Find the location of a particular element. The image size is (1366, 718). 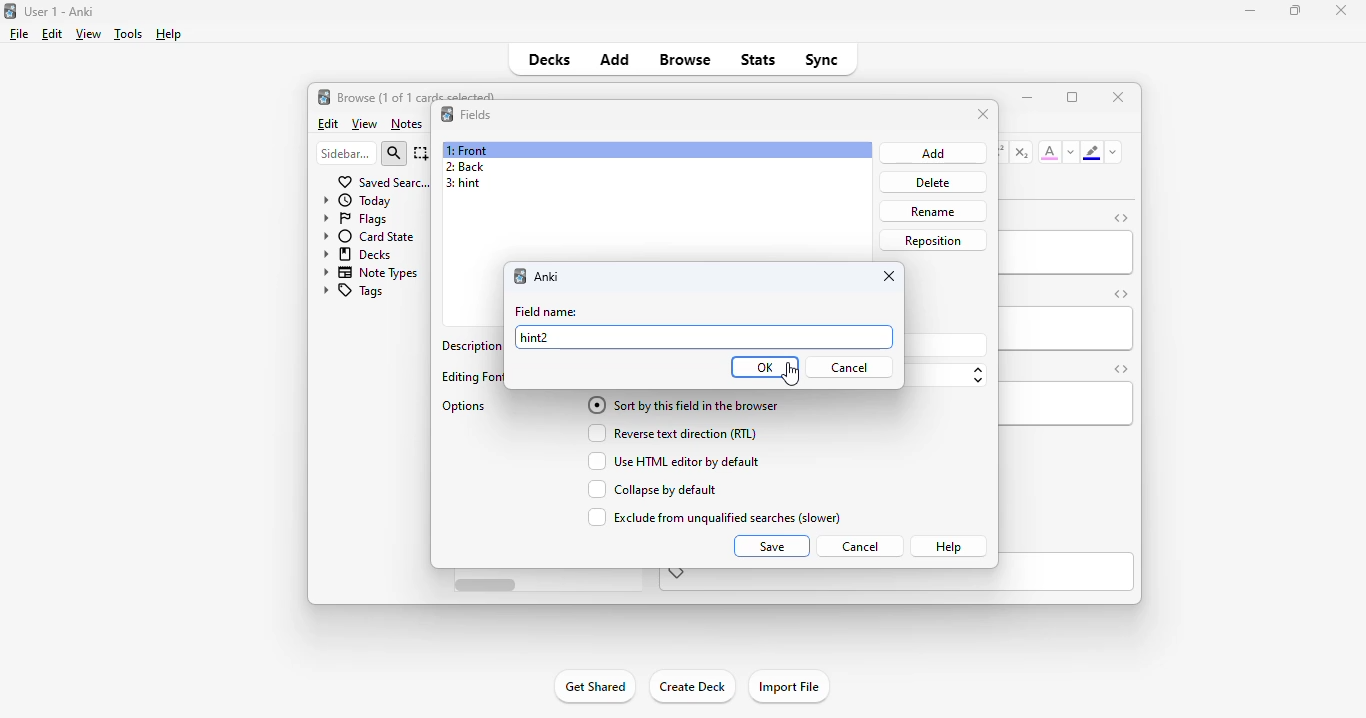

maximize is located at coordinates (1295, 9).